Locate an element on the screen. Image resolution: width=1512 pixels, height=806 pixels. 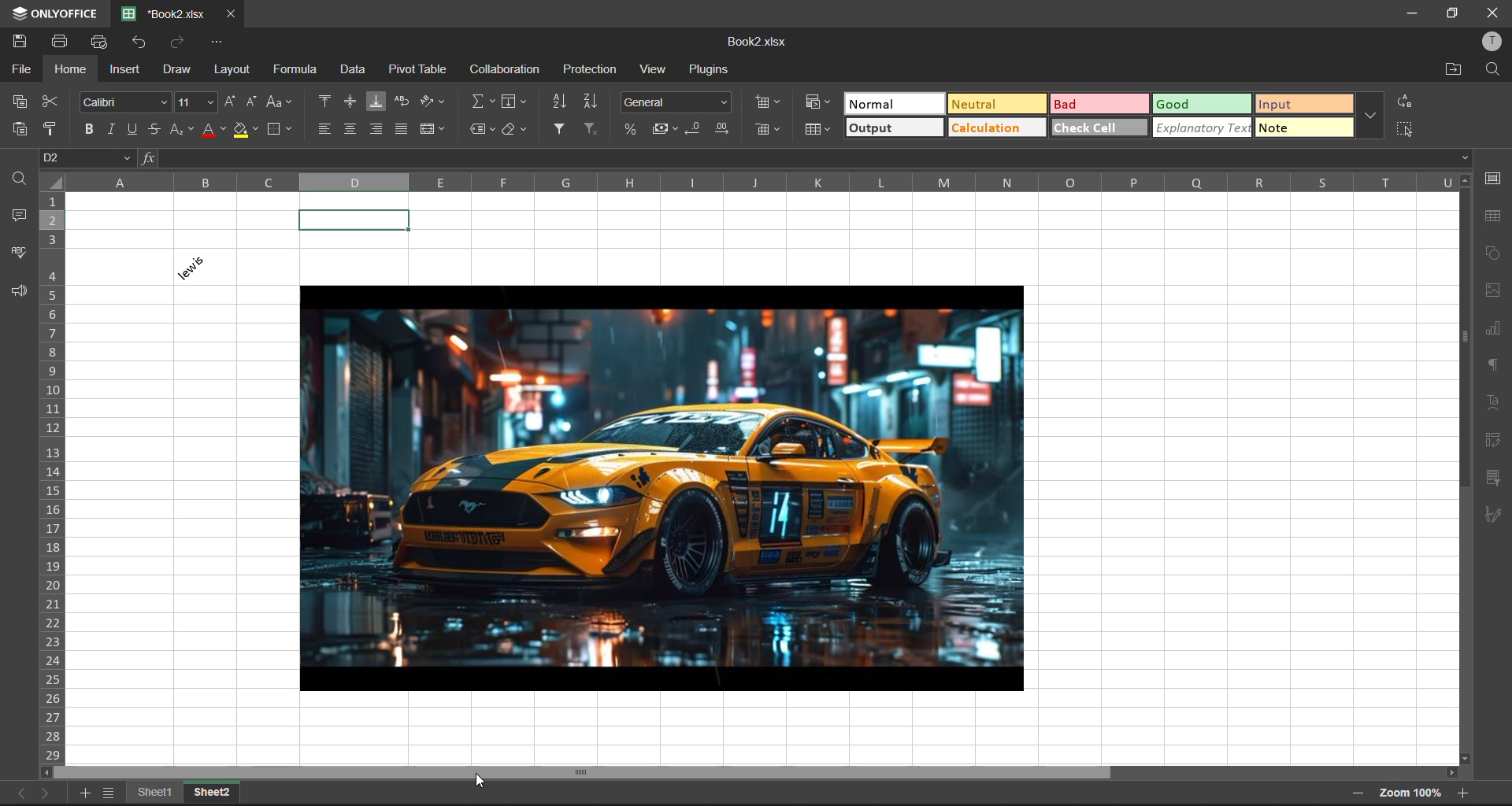
profile is located at coordinates (1493, 43).